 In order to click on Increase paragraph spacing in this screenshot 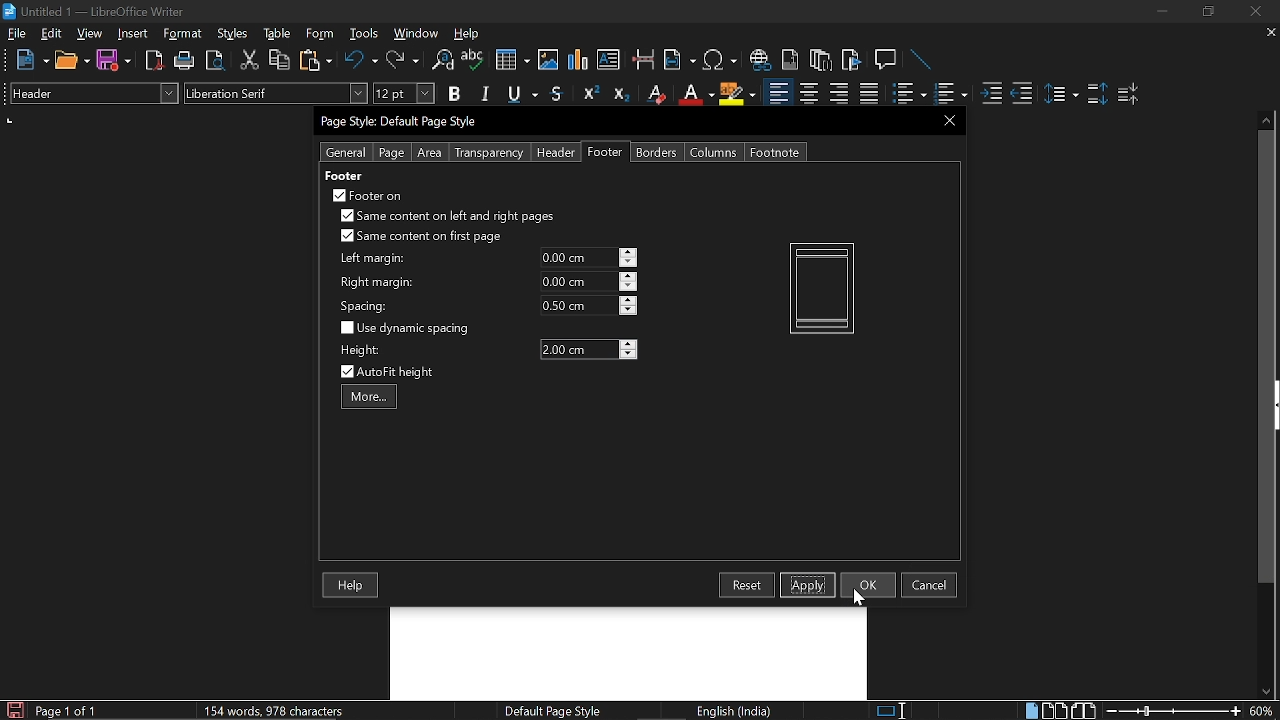, I will do `click(1097, 95)`.